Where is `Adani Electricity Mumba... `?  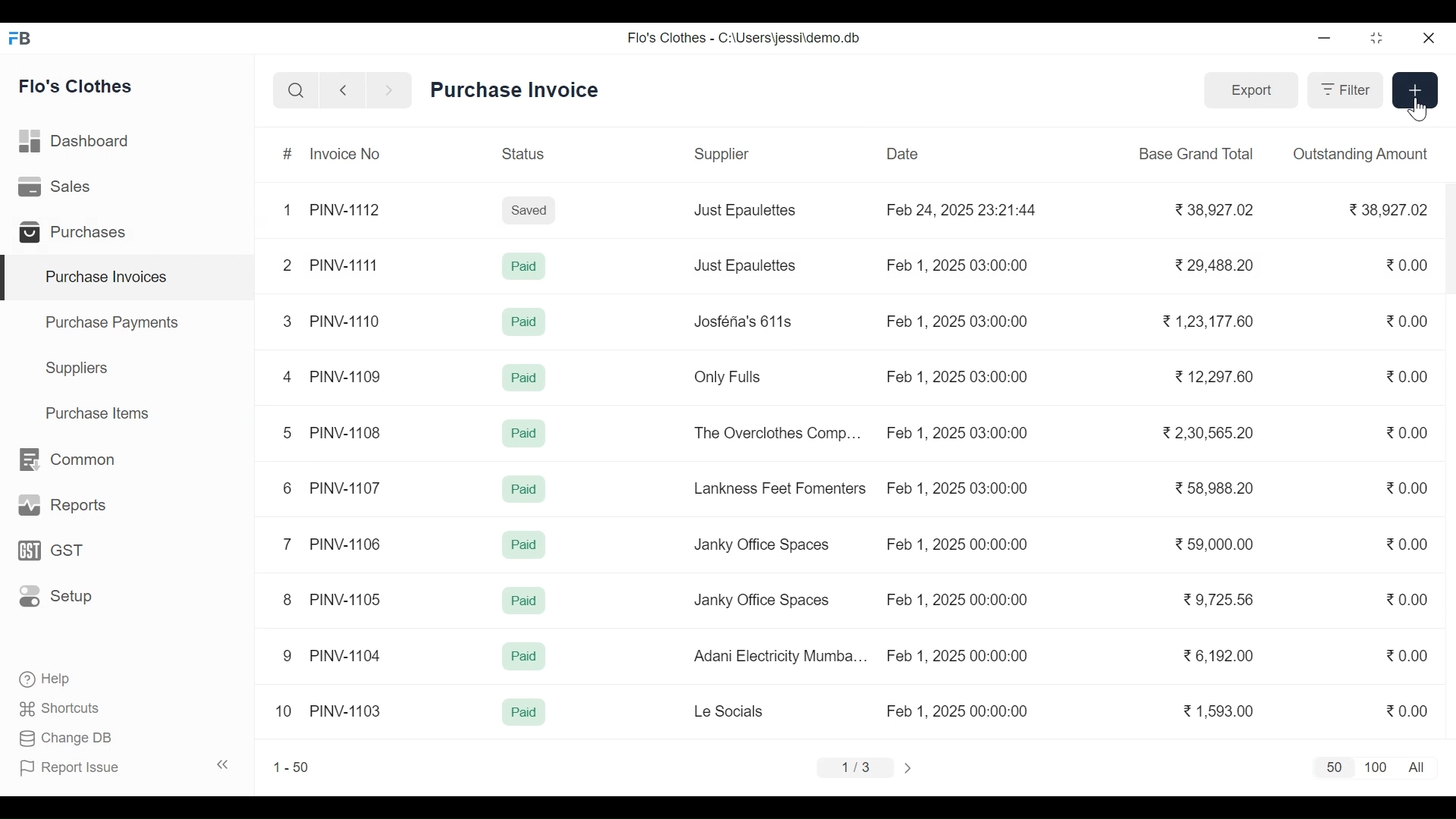
Adani Electricity Mumba...  is located at coordinates (783, 657).